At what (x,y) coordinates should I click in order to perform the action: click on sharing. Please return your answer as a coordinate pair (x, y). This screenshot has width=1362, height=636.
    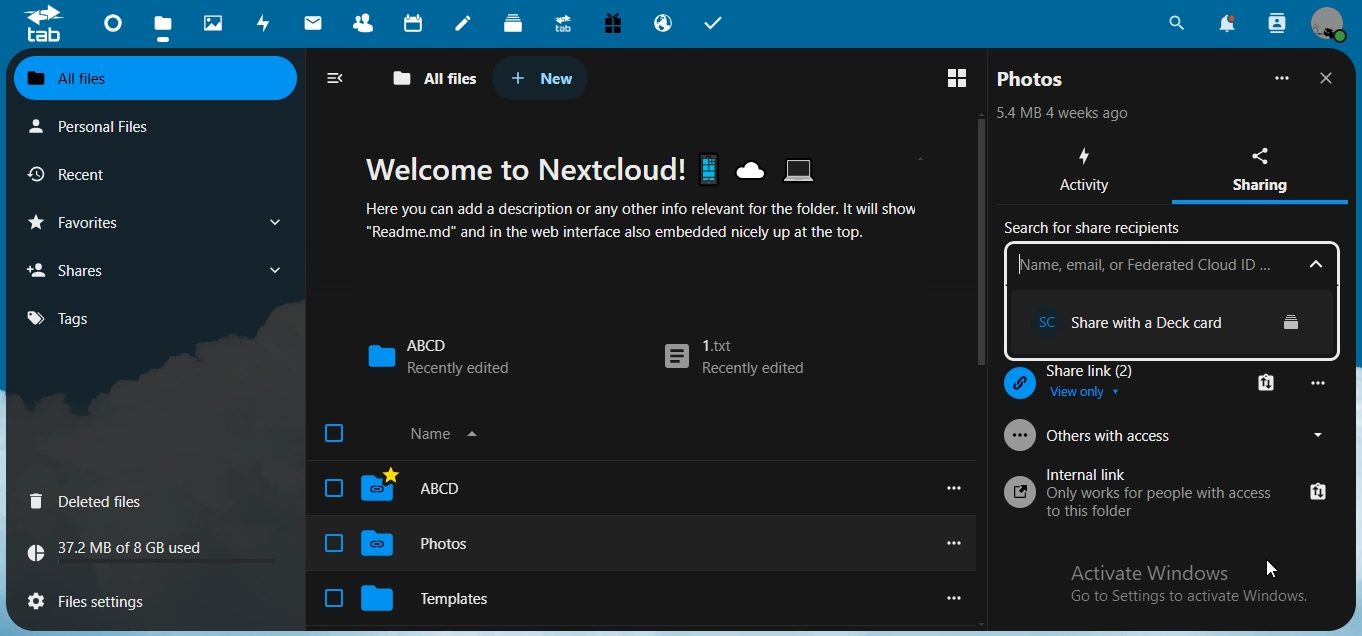
    Looking at the image, I should click on (1268, 167).